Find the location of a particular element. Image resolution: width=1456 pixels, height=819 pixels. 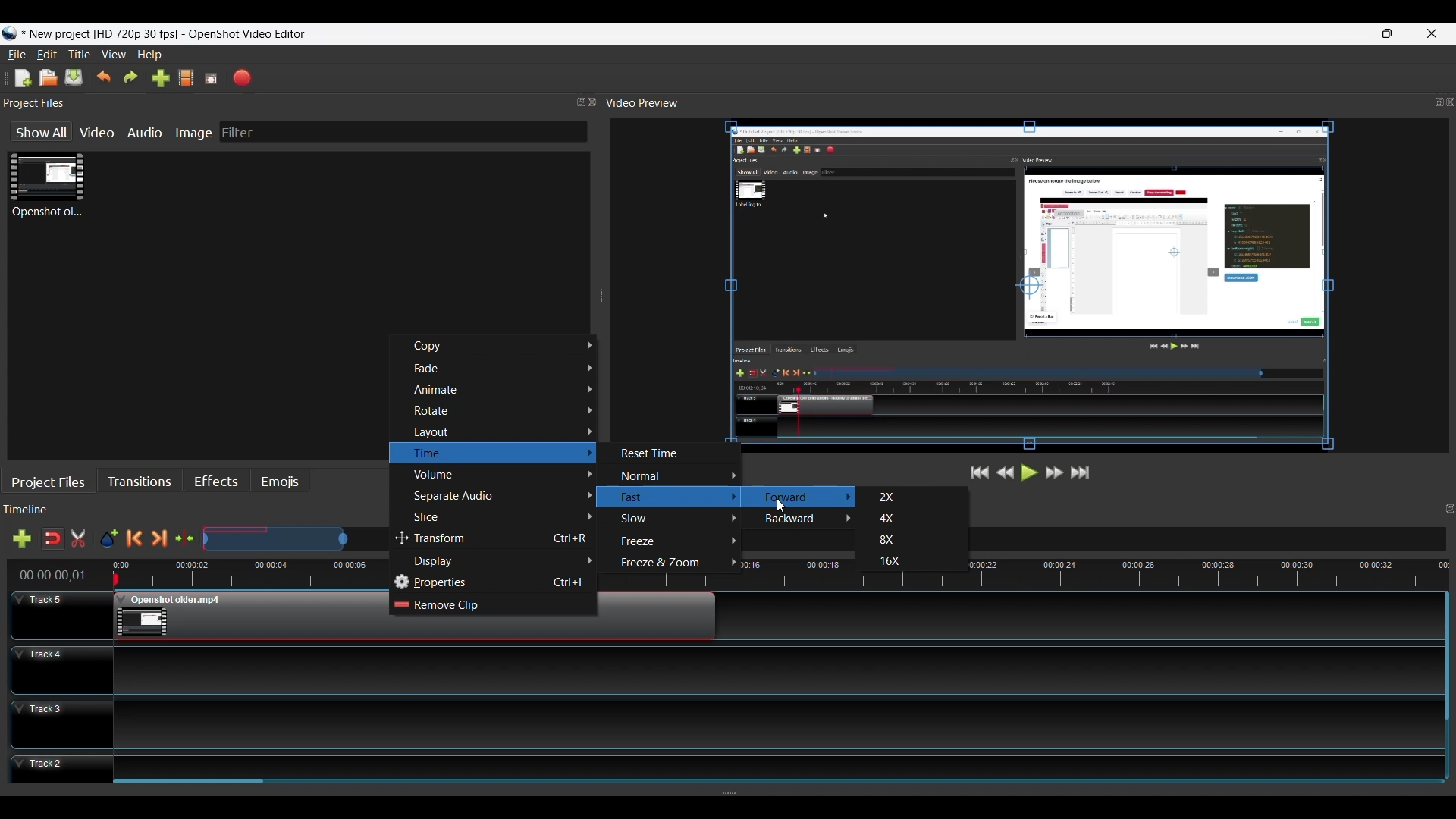

OpenShot video editor is located at coordinates (253, 34).